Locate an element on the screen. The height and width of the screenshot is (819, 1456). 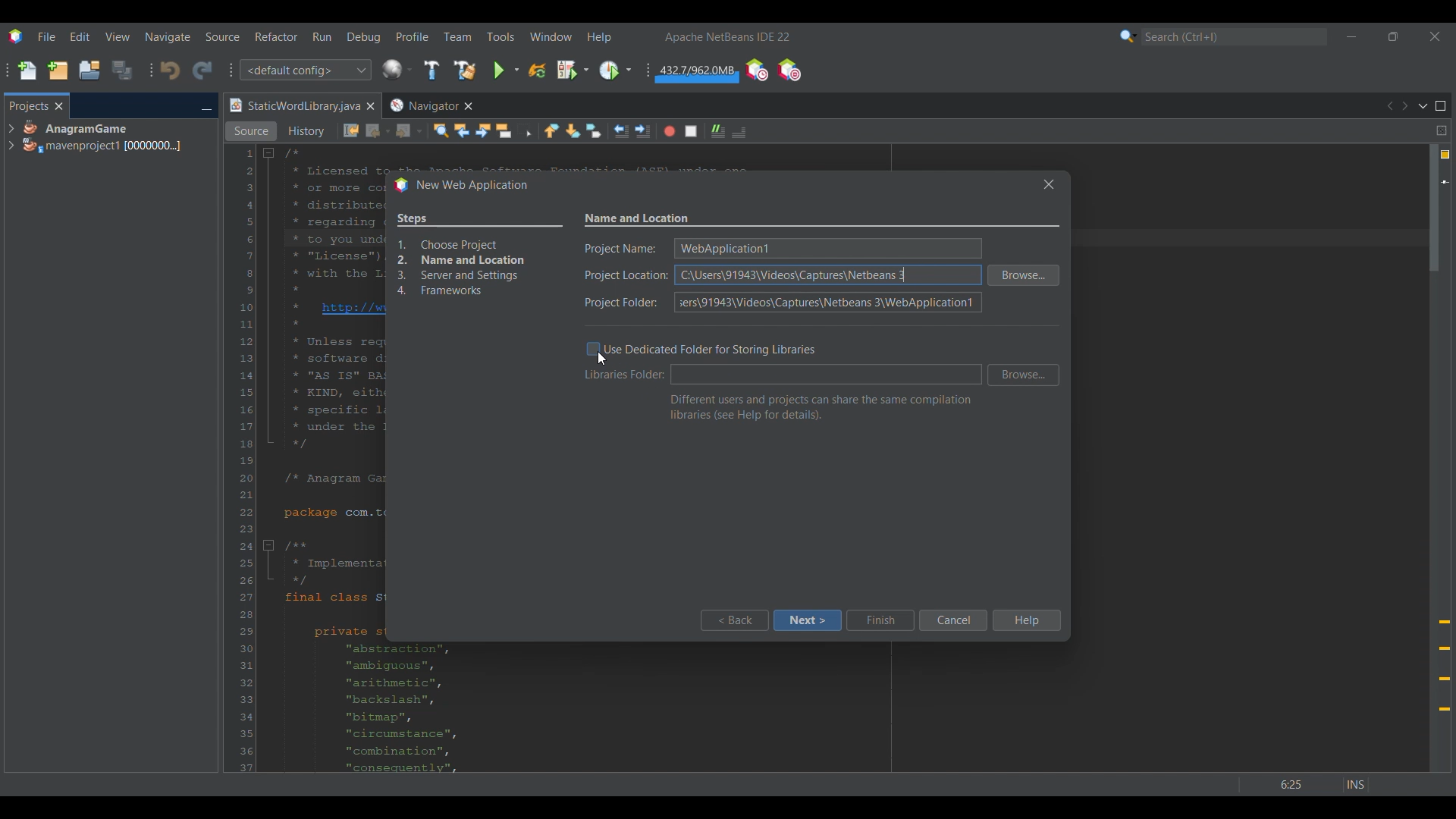
Start macro recording is located at coordinates (670, 131).